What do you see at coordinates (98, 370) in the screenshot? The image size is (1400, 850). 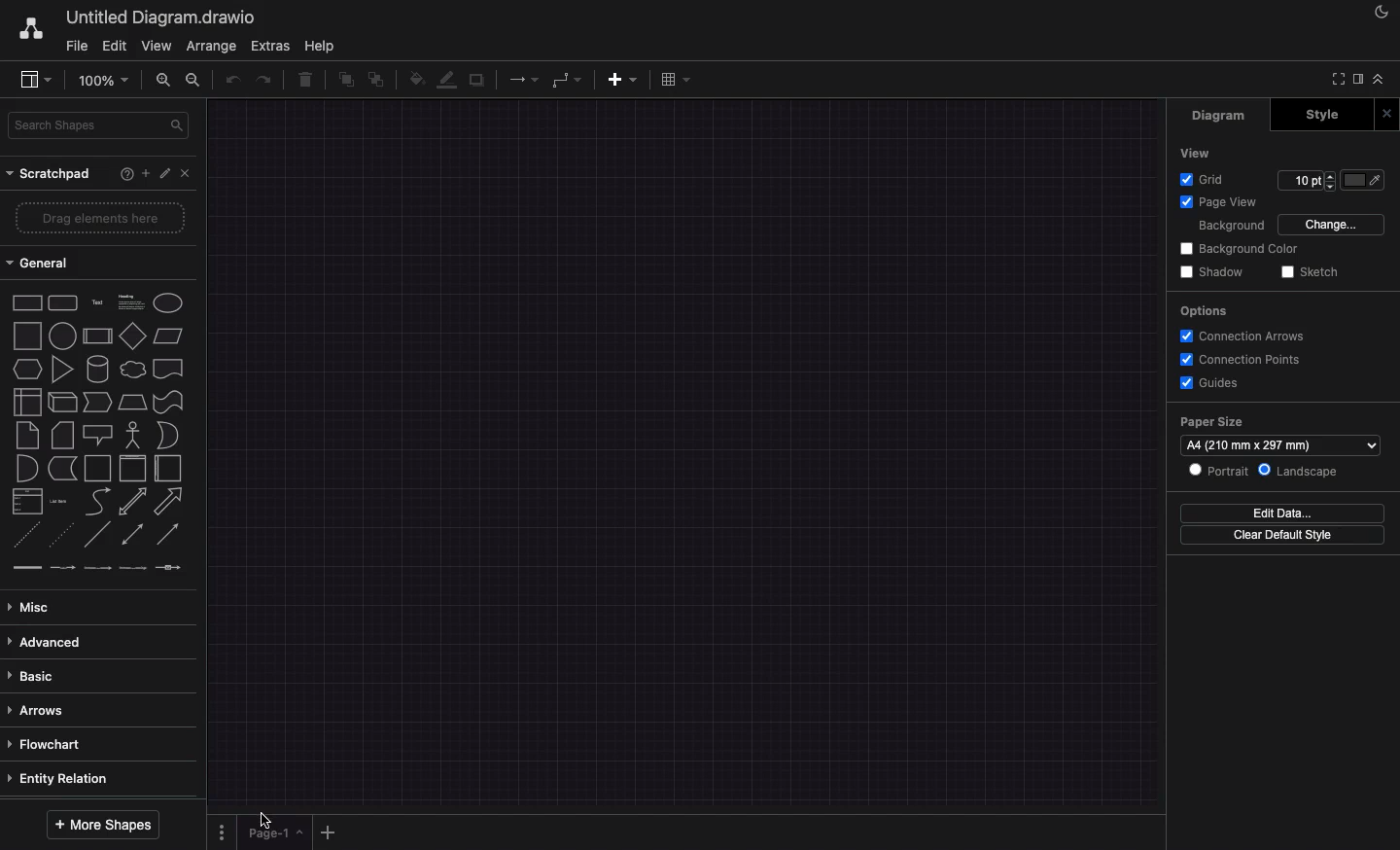 I see `cylinder` at bounding box center [98, 370].